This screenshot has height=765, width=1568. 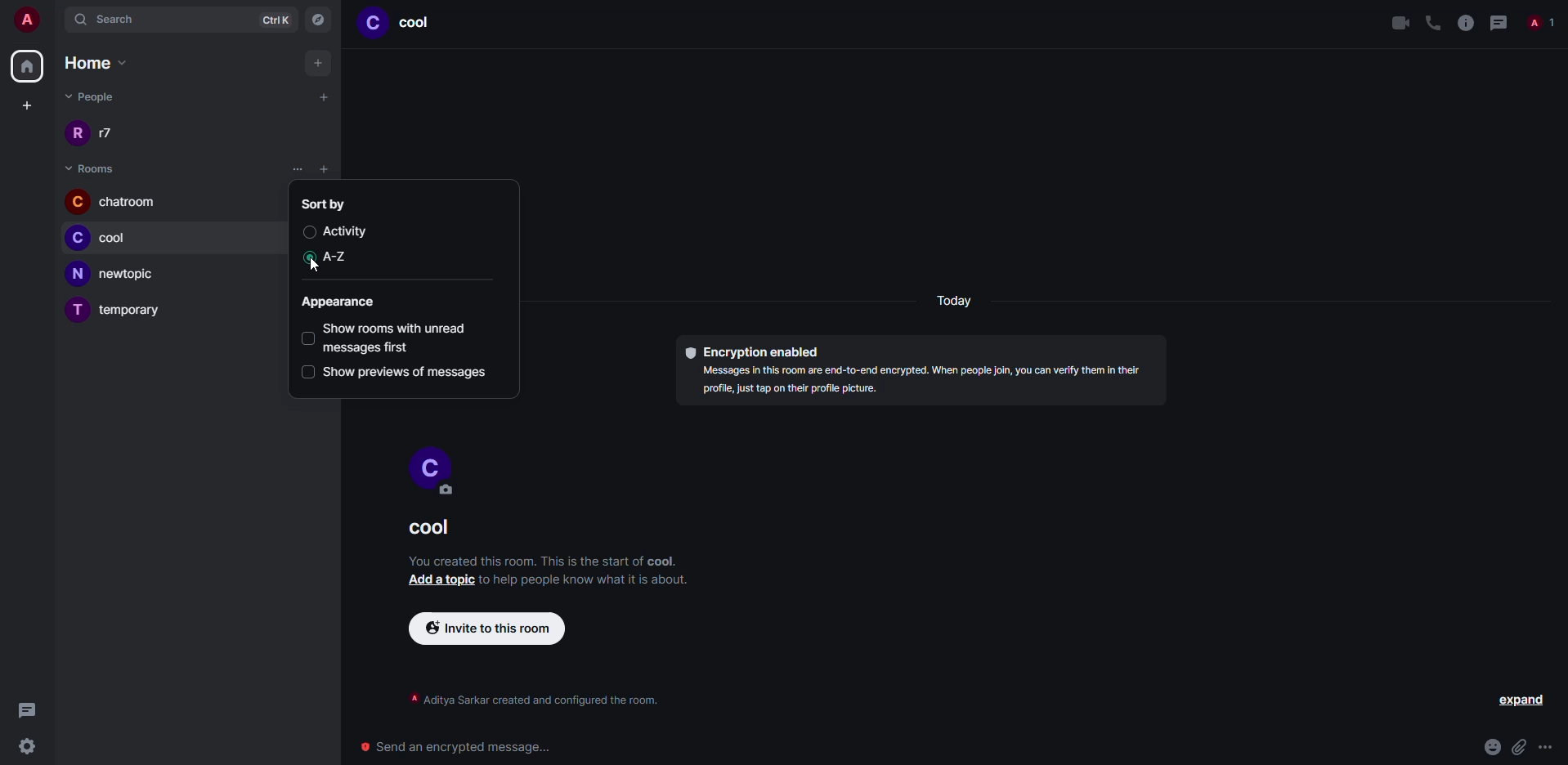 I want to click on video call, so click(x=1396, y=23).